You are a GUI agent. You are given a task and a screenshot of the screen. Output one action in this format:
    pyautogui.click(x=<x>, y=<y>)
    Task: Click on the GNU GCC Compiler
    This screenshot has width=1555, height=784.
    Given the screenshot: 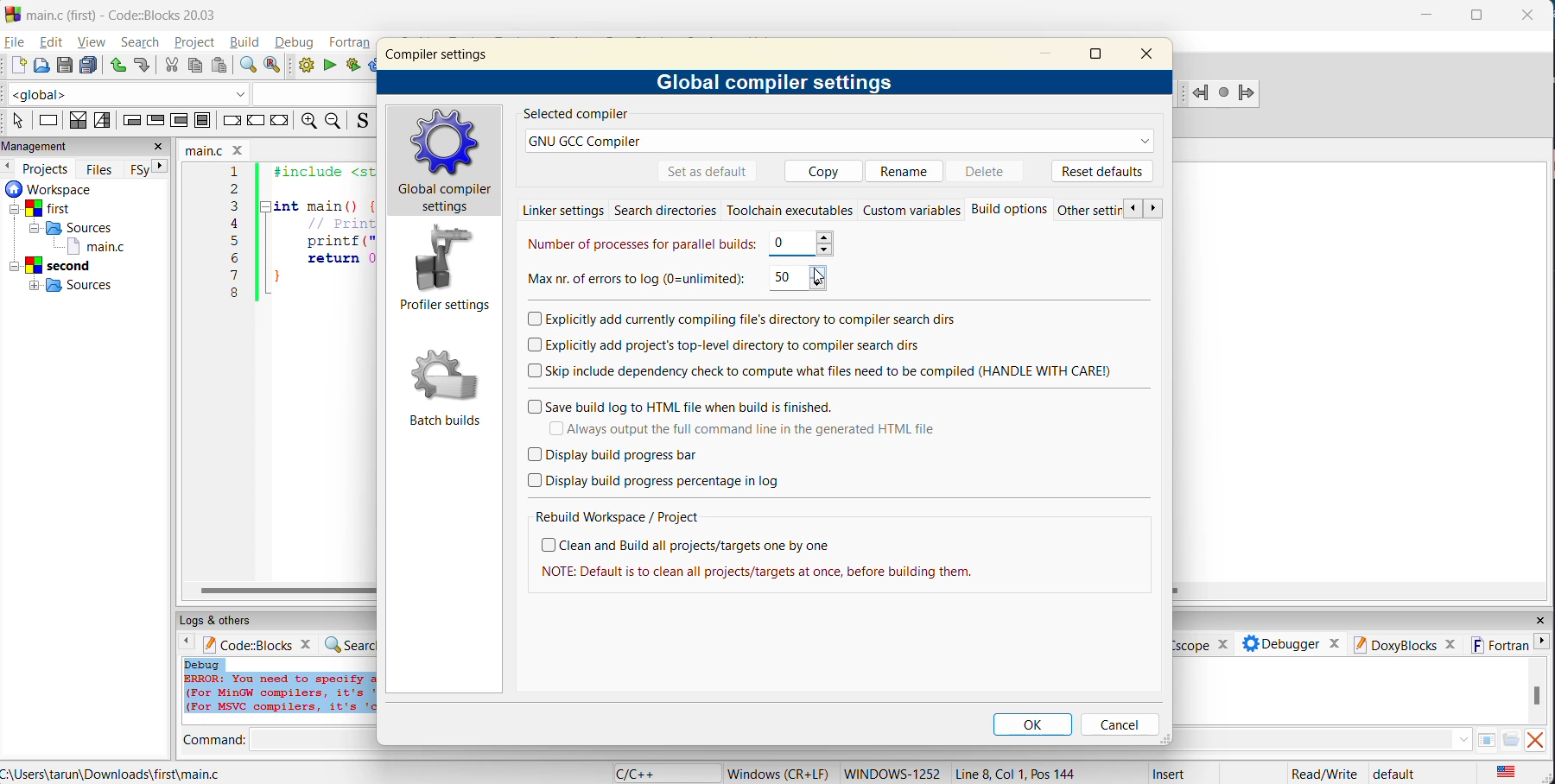 What is the action you would take?
    pyautogui.click(x=839, y=141)
    